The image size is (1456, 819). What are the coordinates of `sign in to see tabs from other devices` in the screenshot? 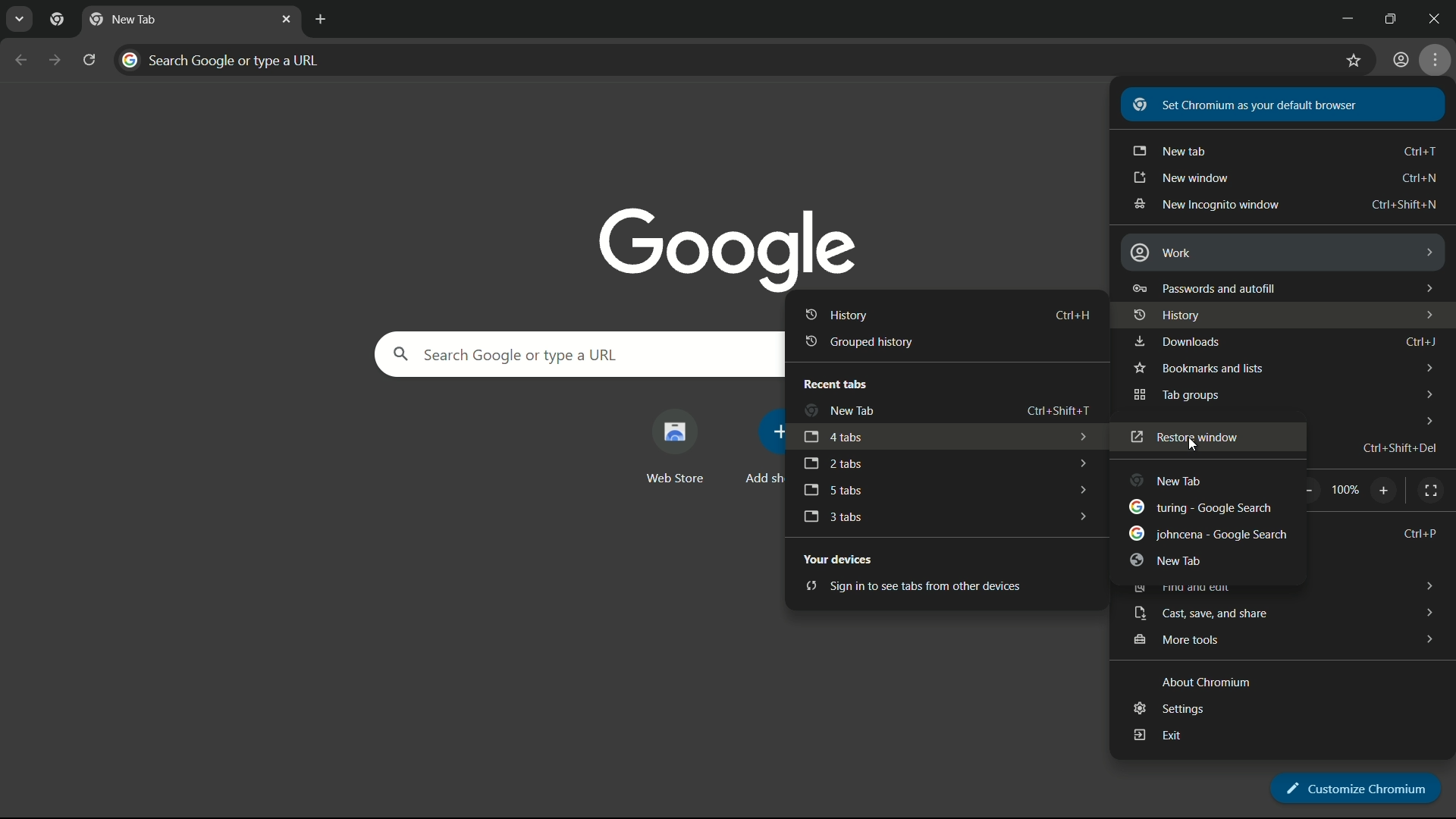 It's located at (905, 586).